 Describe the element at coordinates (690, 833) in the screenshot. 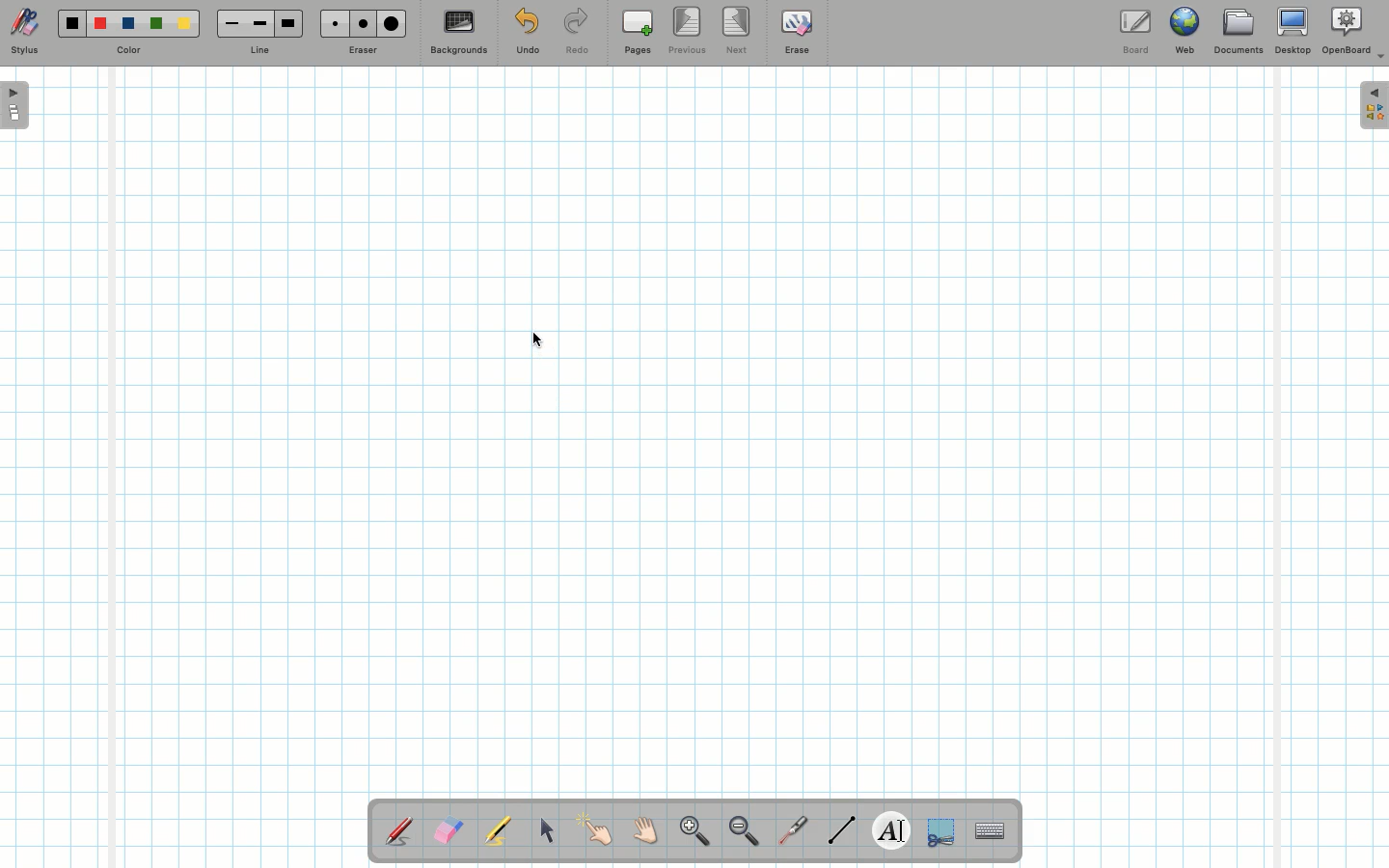

I see `Zoom in` at that location.